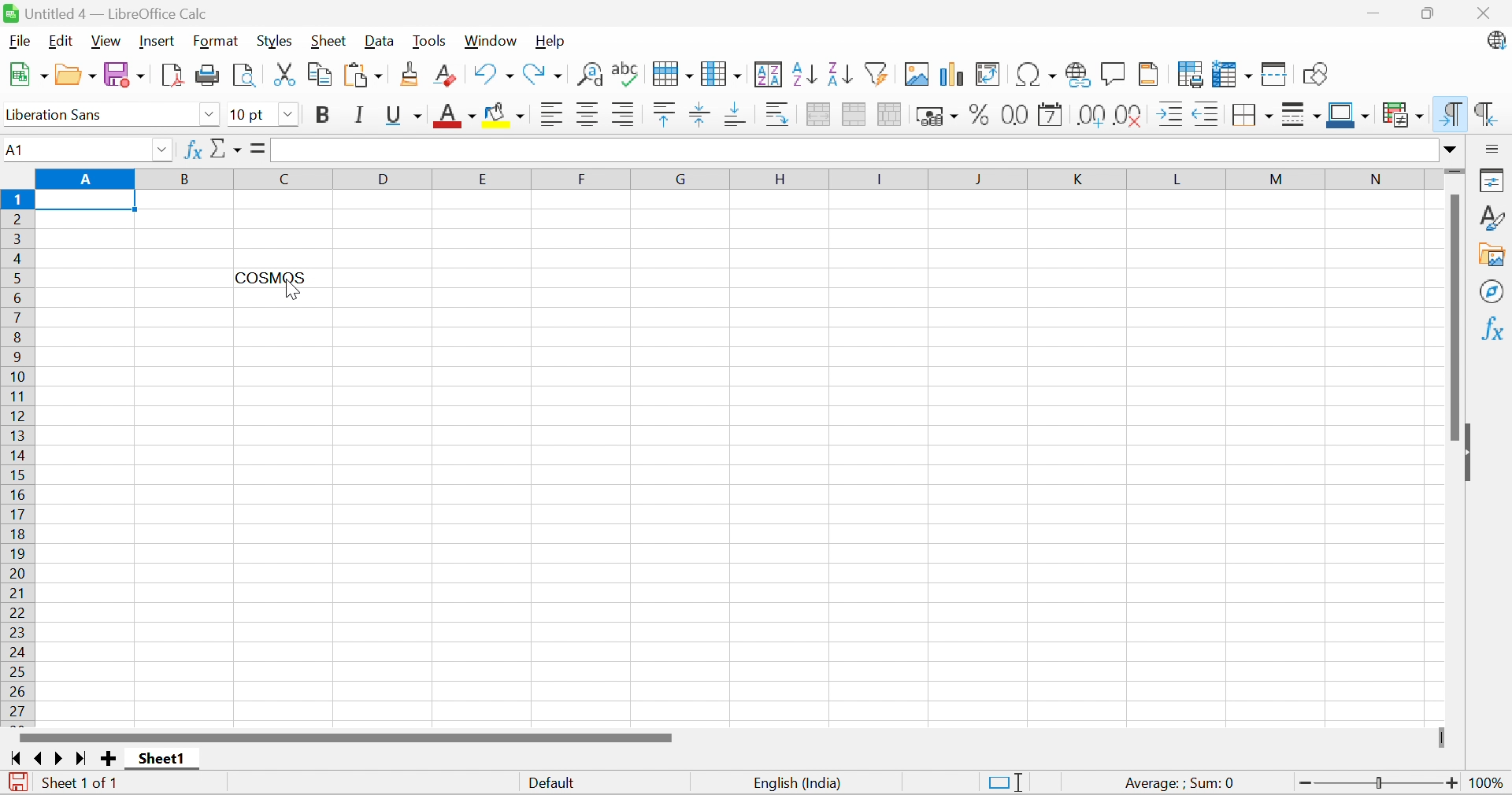 The height and width of the screenshot is (795, 1512). Describe the element at coordinates (1490, 785) in the screenshot. I see `100%` at that location.